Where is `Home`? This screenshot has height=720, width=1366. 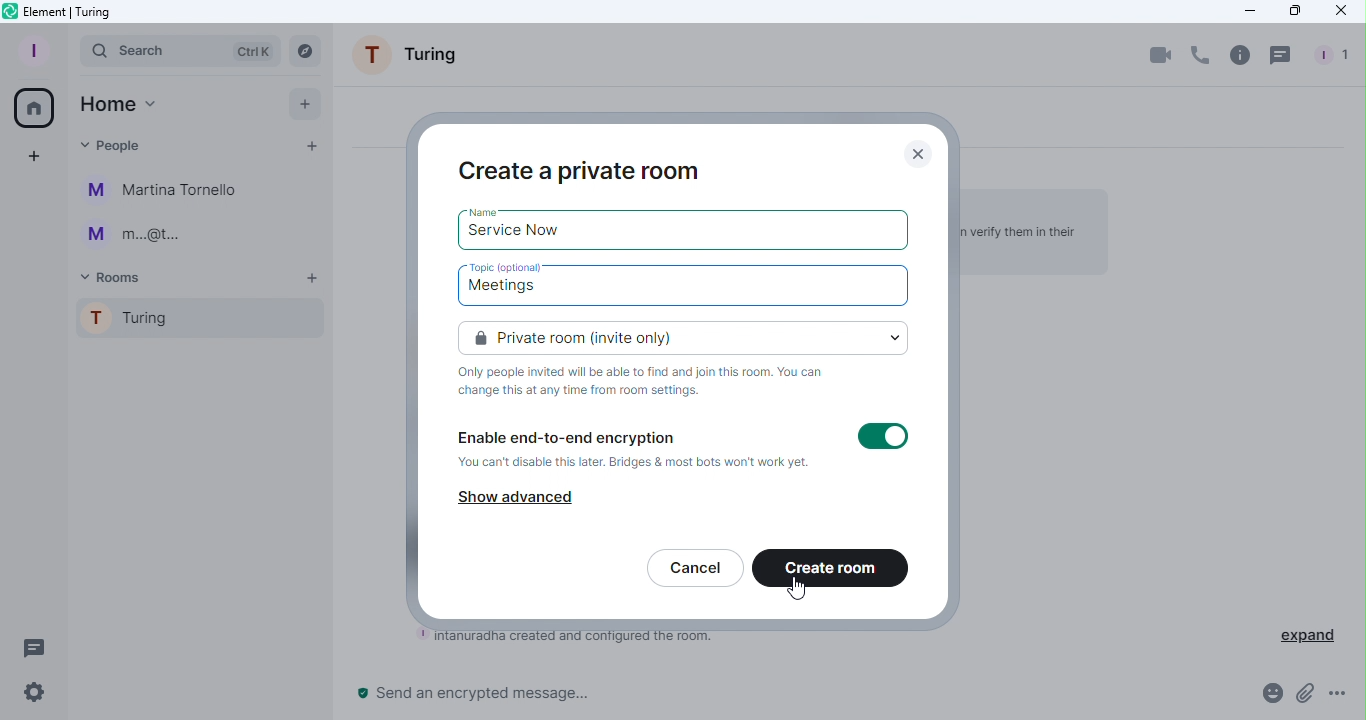 Home is located at coordinates (118, 104).